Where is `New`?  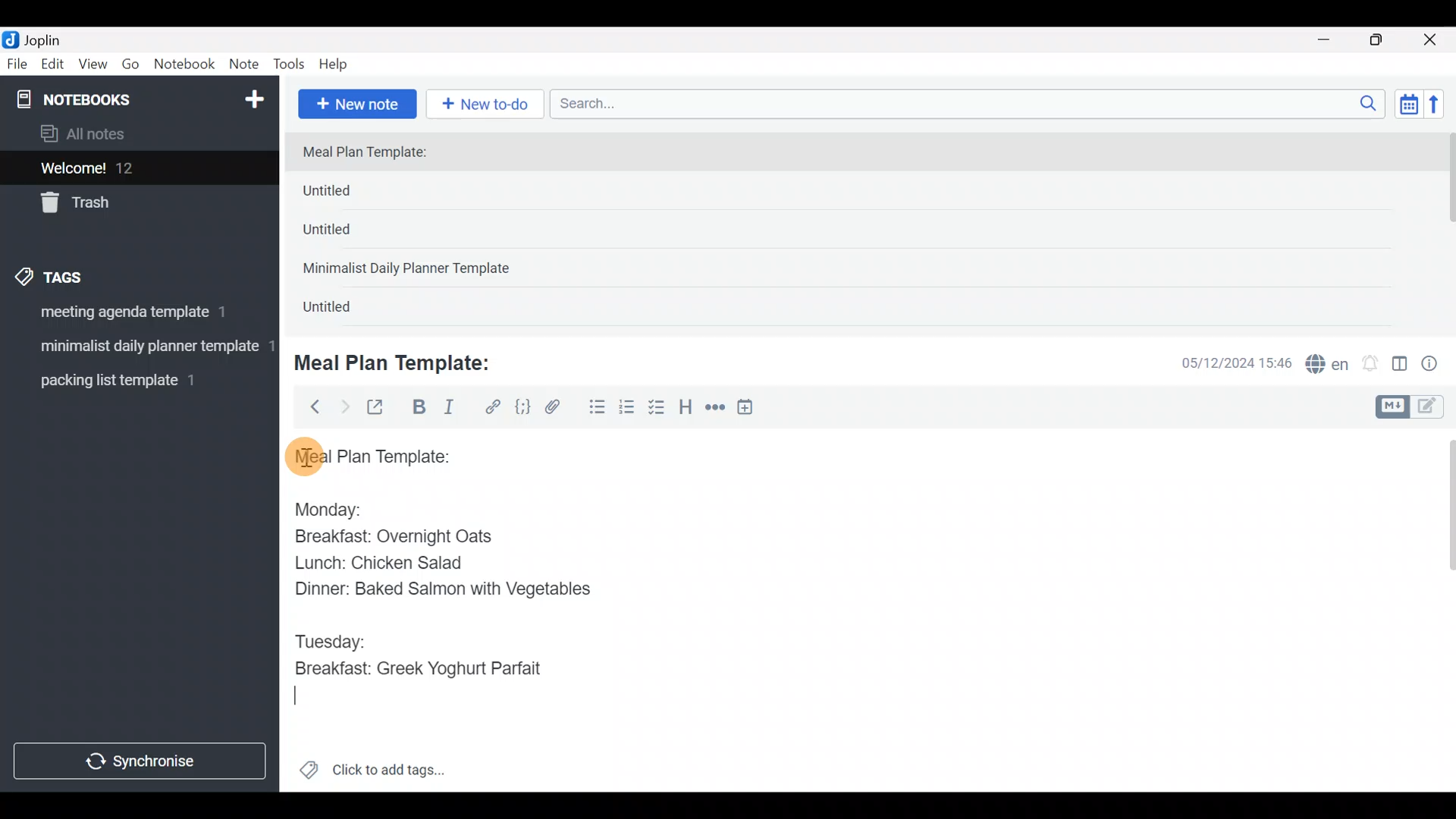
New is located at coordinates (253, 96).